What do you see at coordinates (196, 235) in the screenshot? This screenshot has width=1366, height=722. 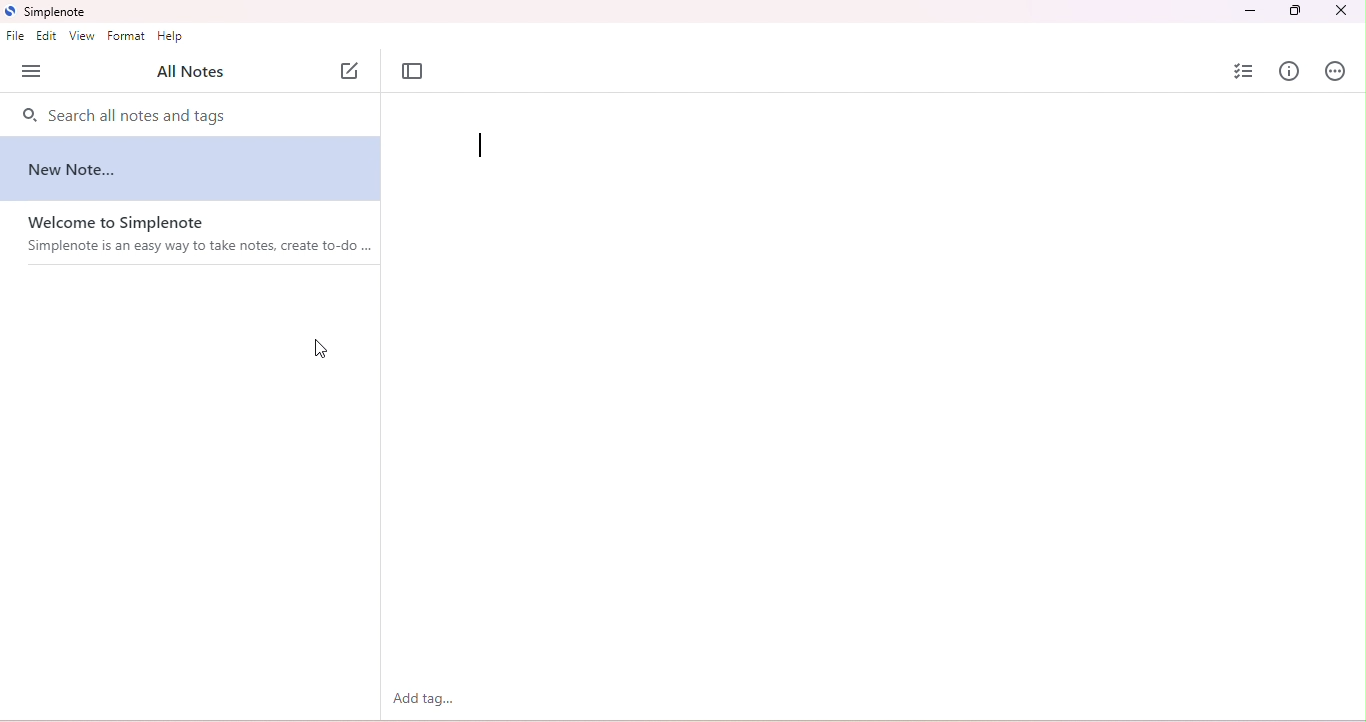 I see `welcome note` at bounding box center [196, 235].